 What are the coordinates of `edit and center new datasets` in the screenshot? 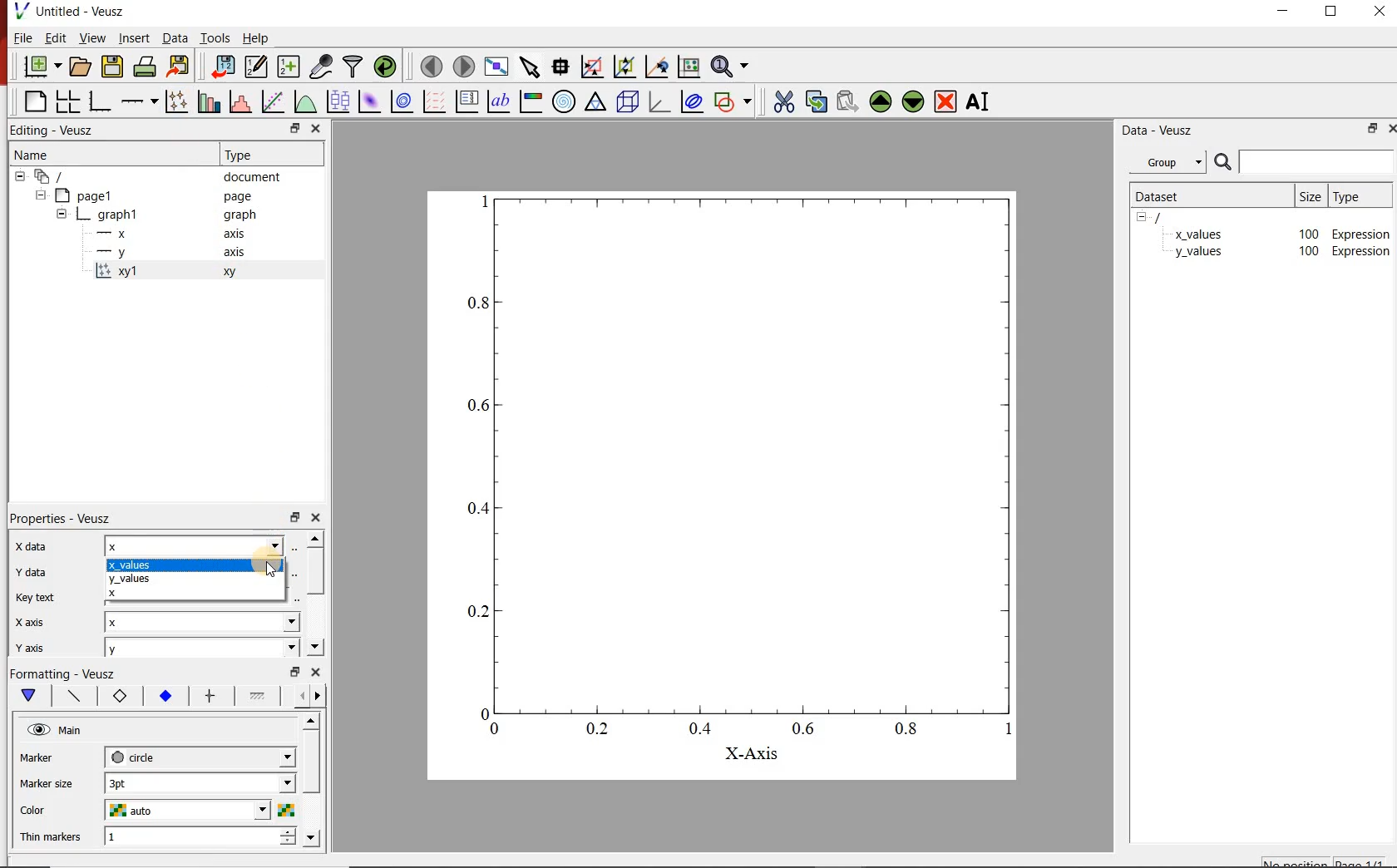 It's located at (258, 67).